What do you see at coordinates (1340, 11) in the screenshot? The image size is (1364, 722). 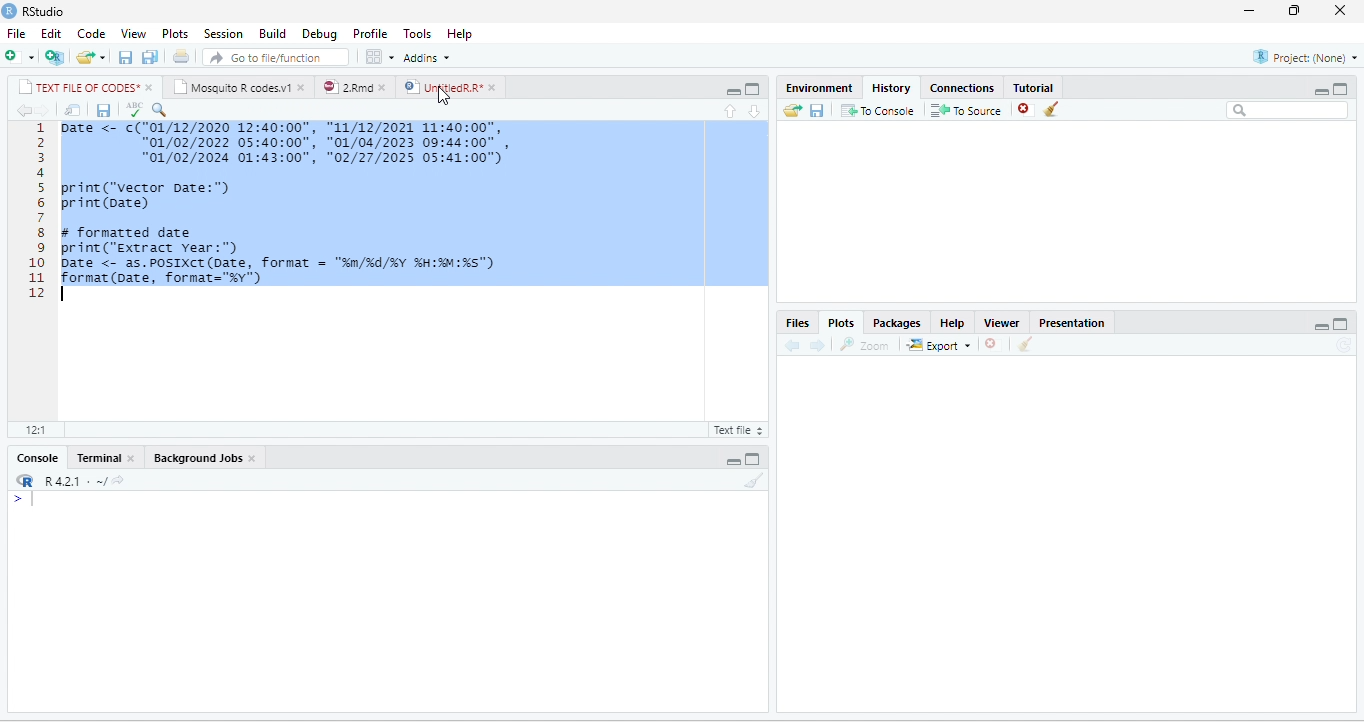 I see `close` at bounding box center [1340, 11].